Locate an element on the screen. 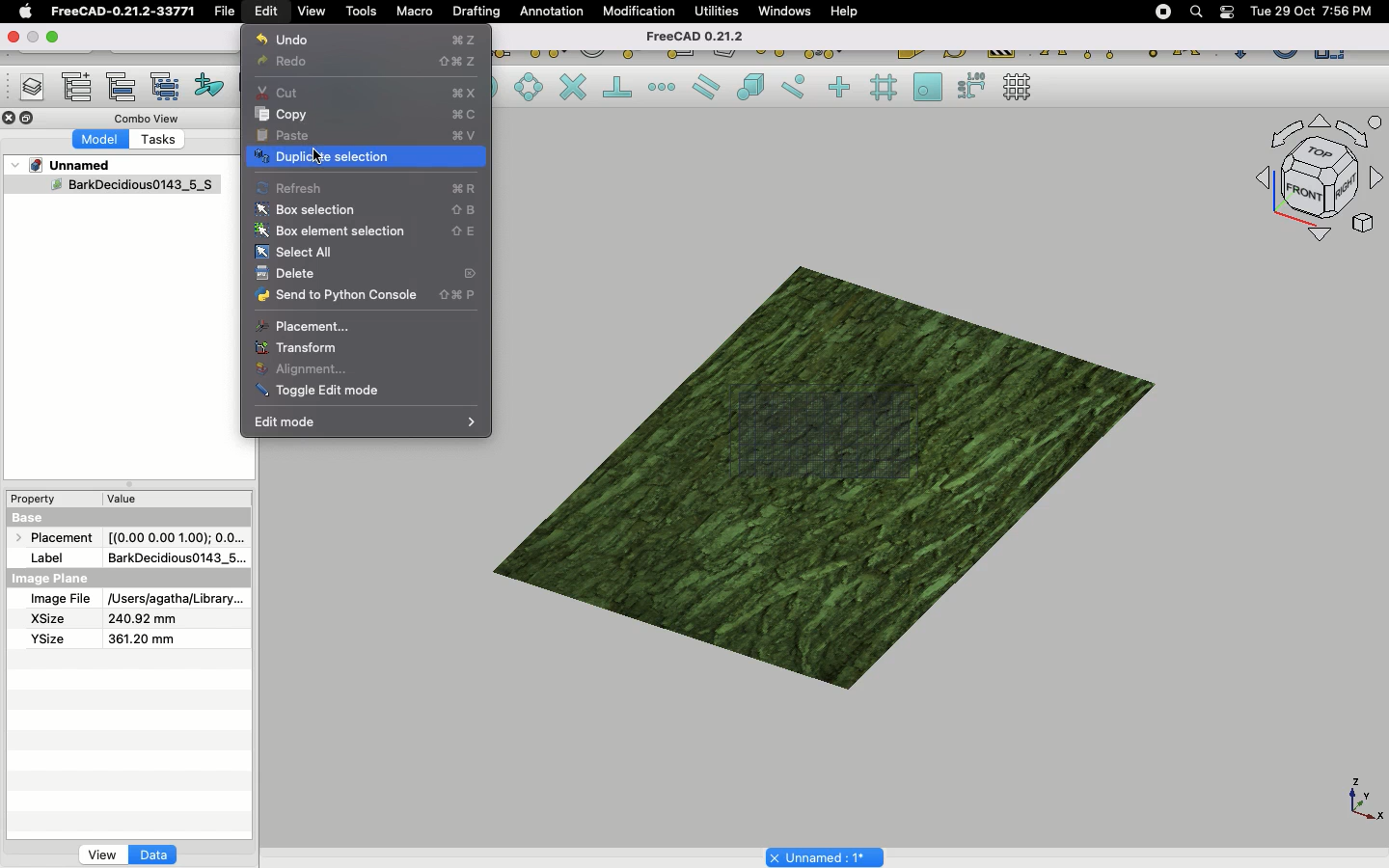  Apple log is located at coordinates (26, 11).